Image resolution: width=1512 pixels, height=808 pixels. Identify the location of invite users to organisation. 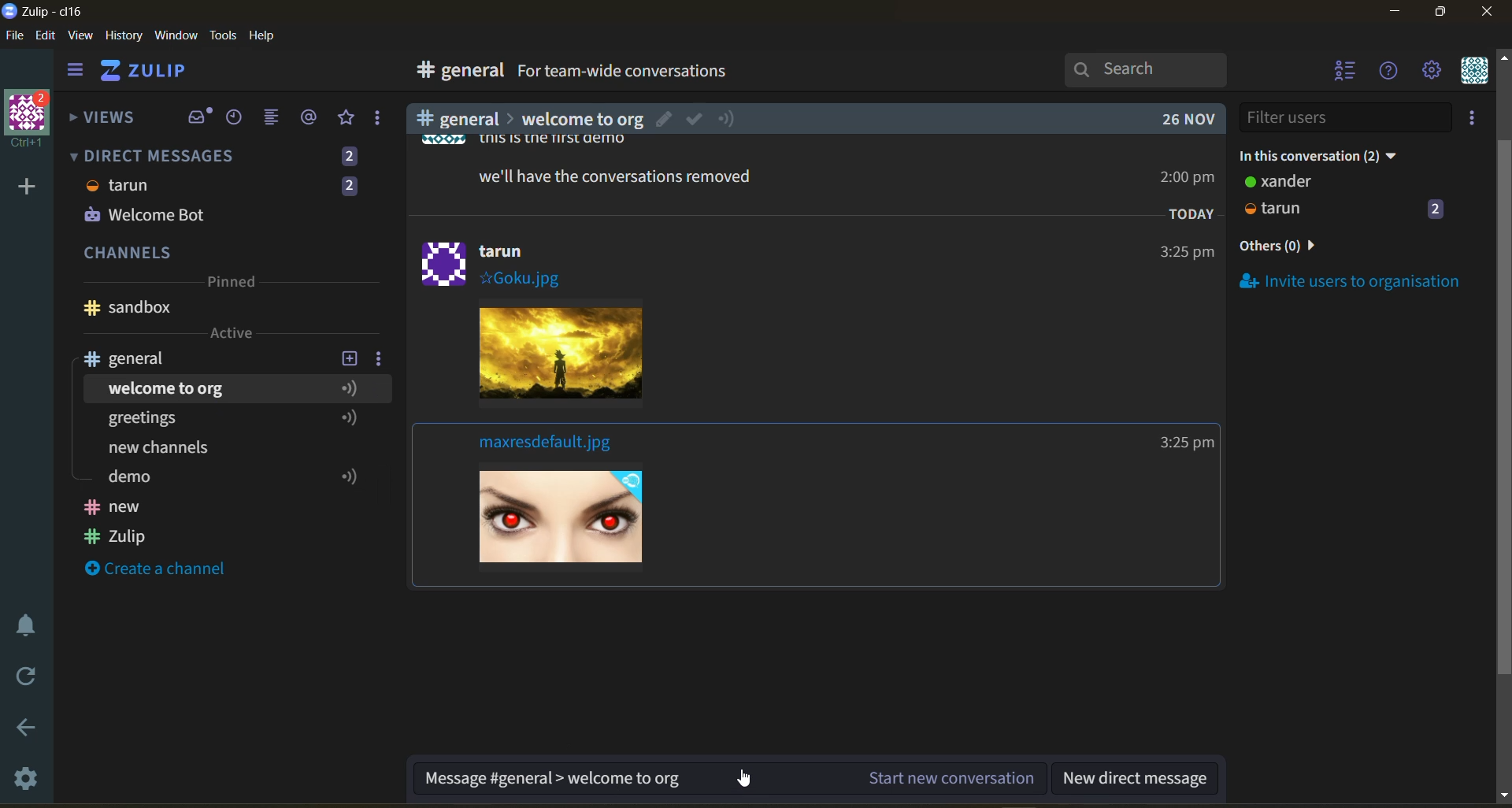
(1351, 280).